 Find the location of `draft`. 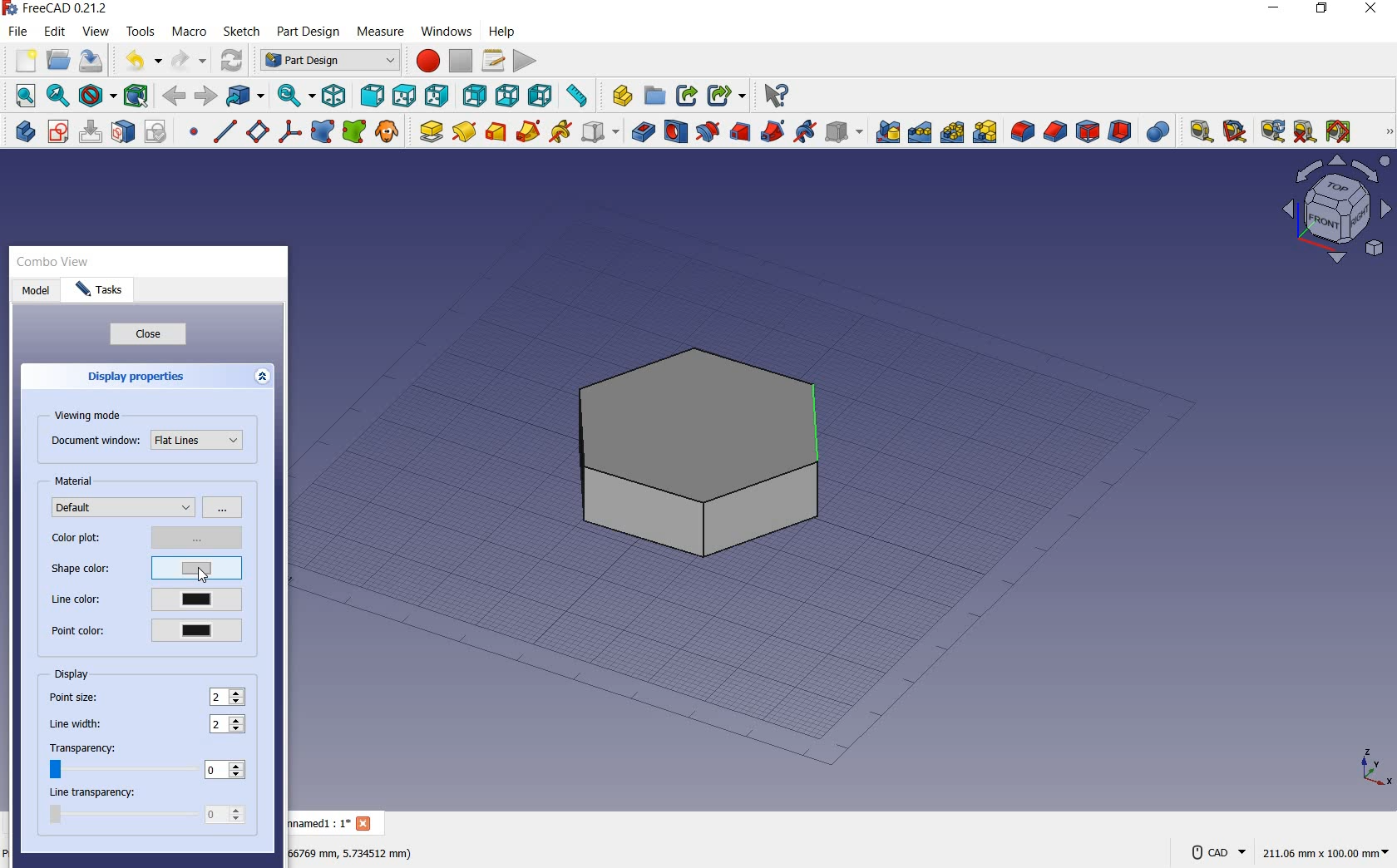

draft is located at coordinates (1088, 133).